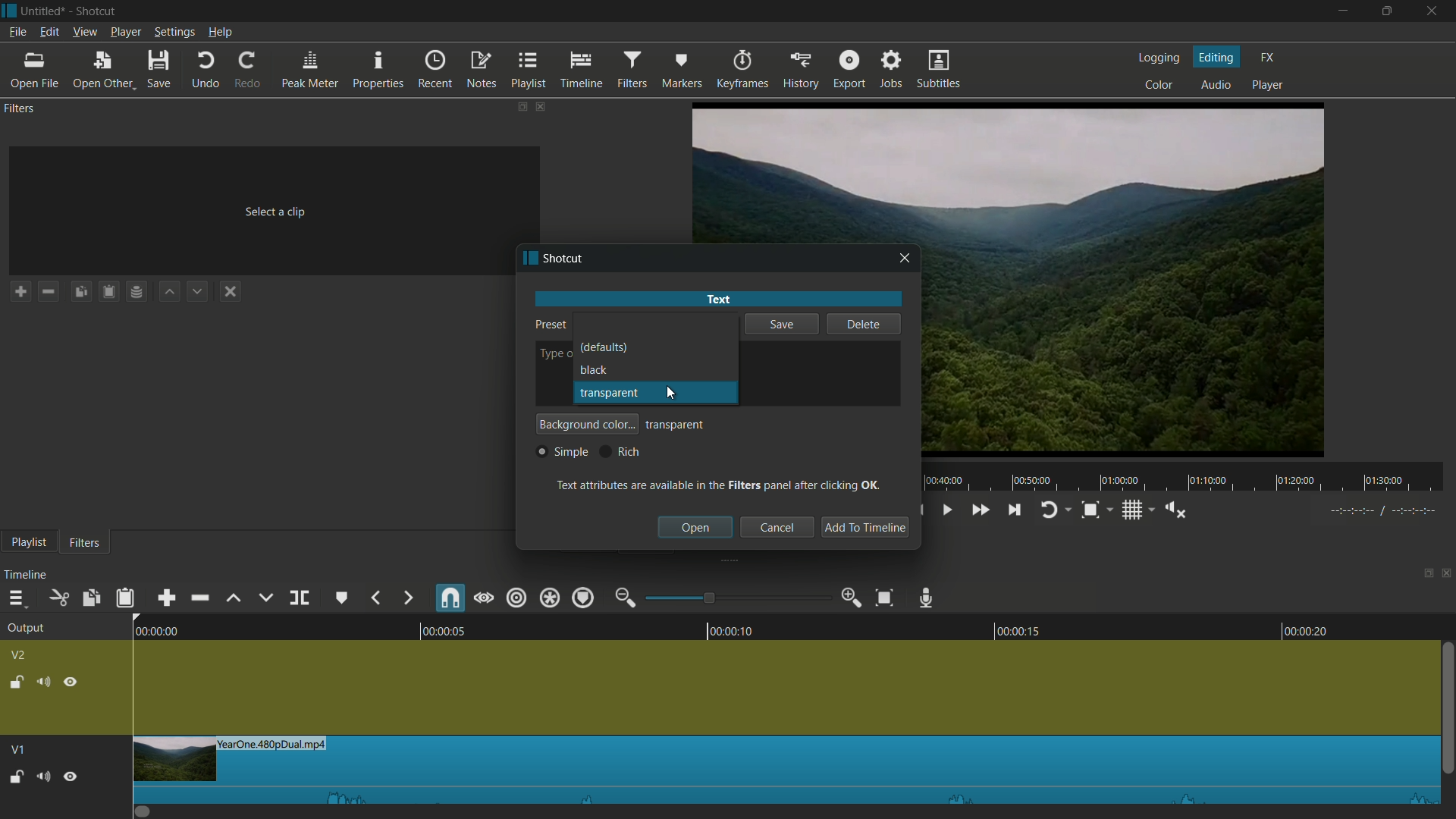 The width and height of the screenshot is (1456, 819). I want to click on project name, so click(43, 11).